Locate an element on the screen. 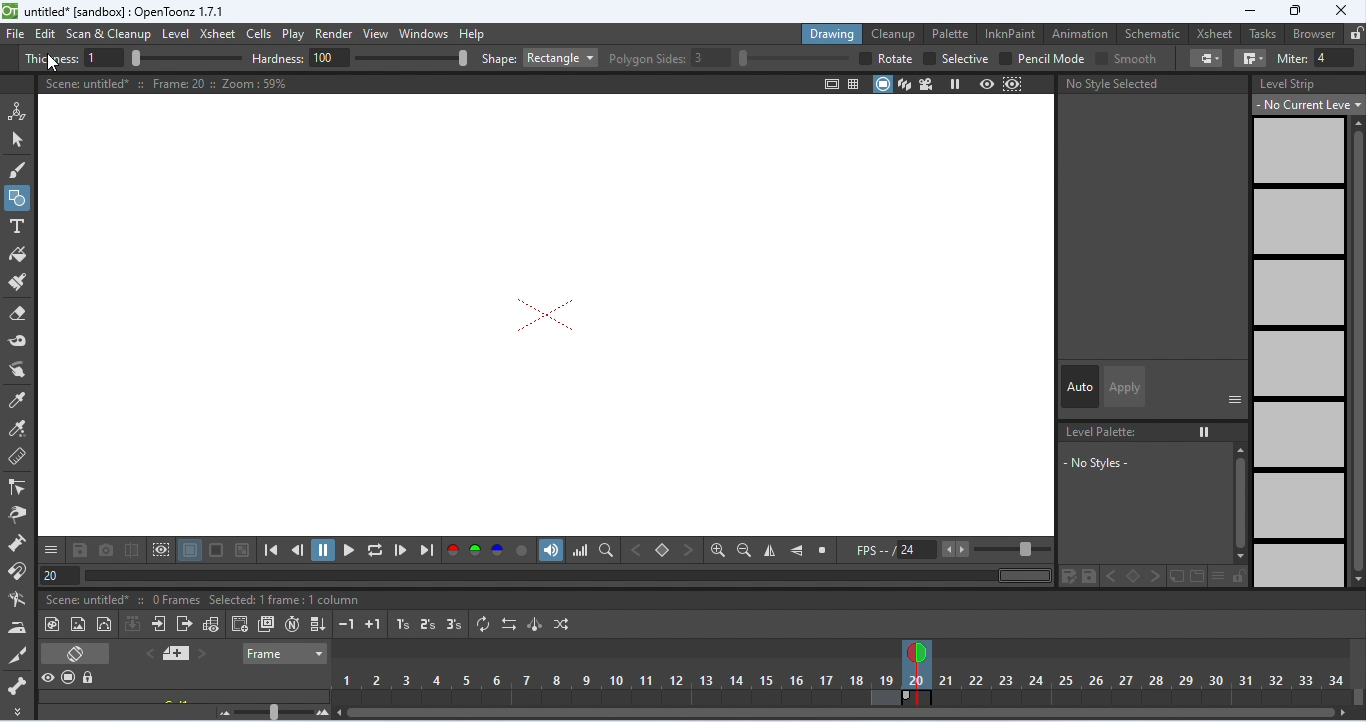 This screenshot has width=1366, height=722. edit is located at coordinates (44, 35).